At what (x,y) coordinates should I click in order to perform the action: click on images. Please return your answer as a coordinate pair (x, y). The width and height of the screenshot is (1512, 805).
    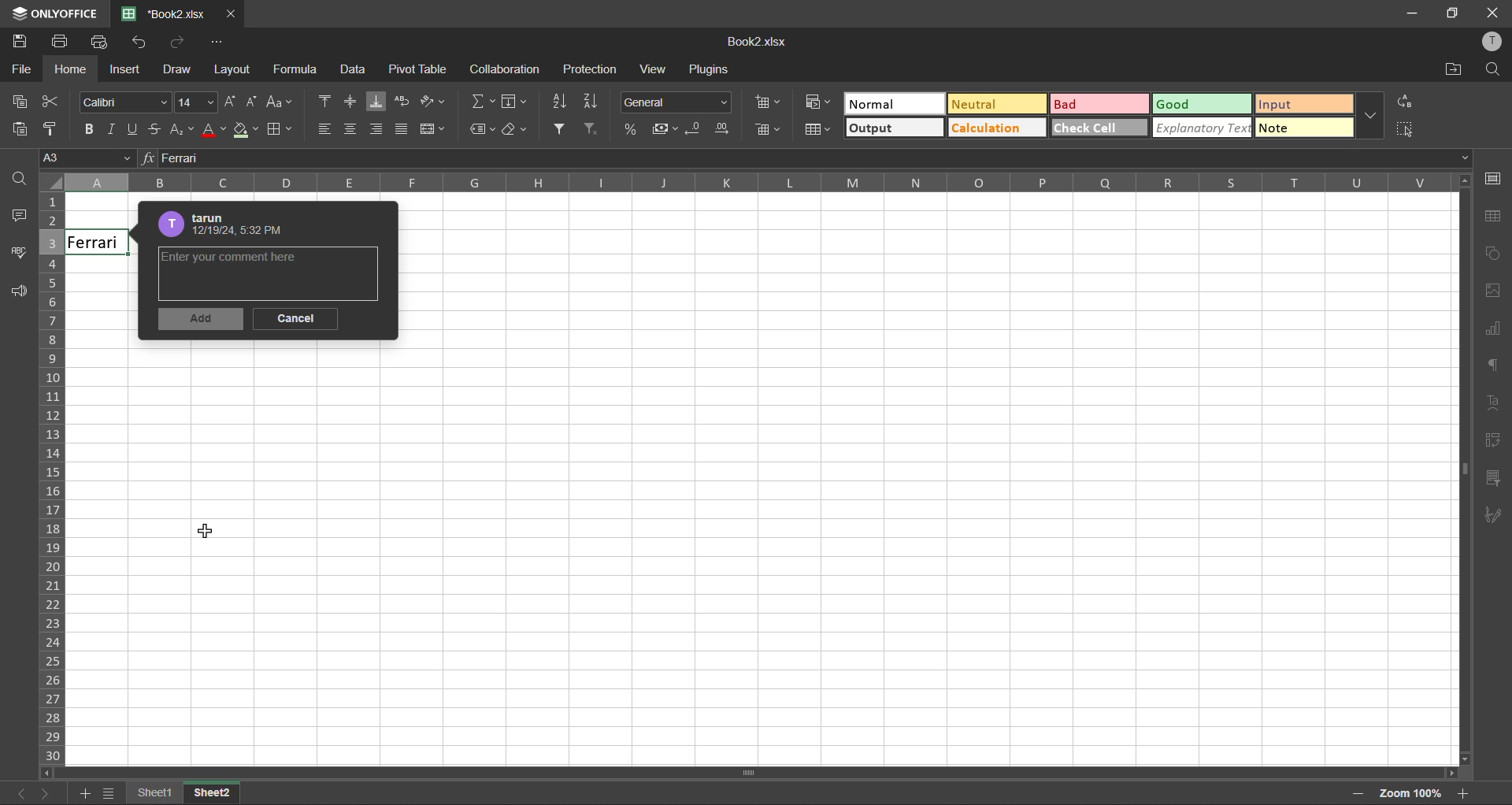
    Looking at the image, I should click on (1497, 294).